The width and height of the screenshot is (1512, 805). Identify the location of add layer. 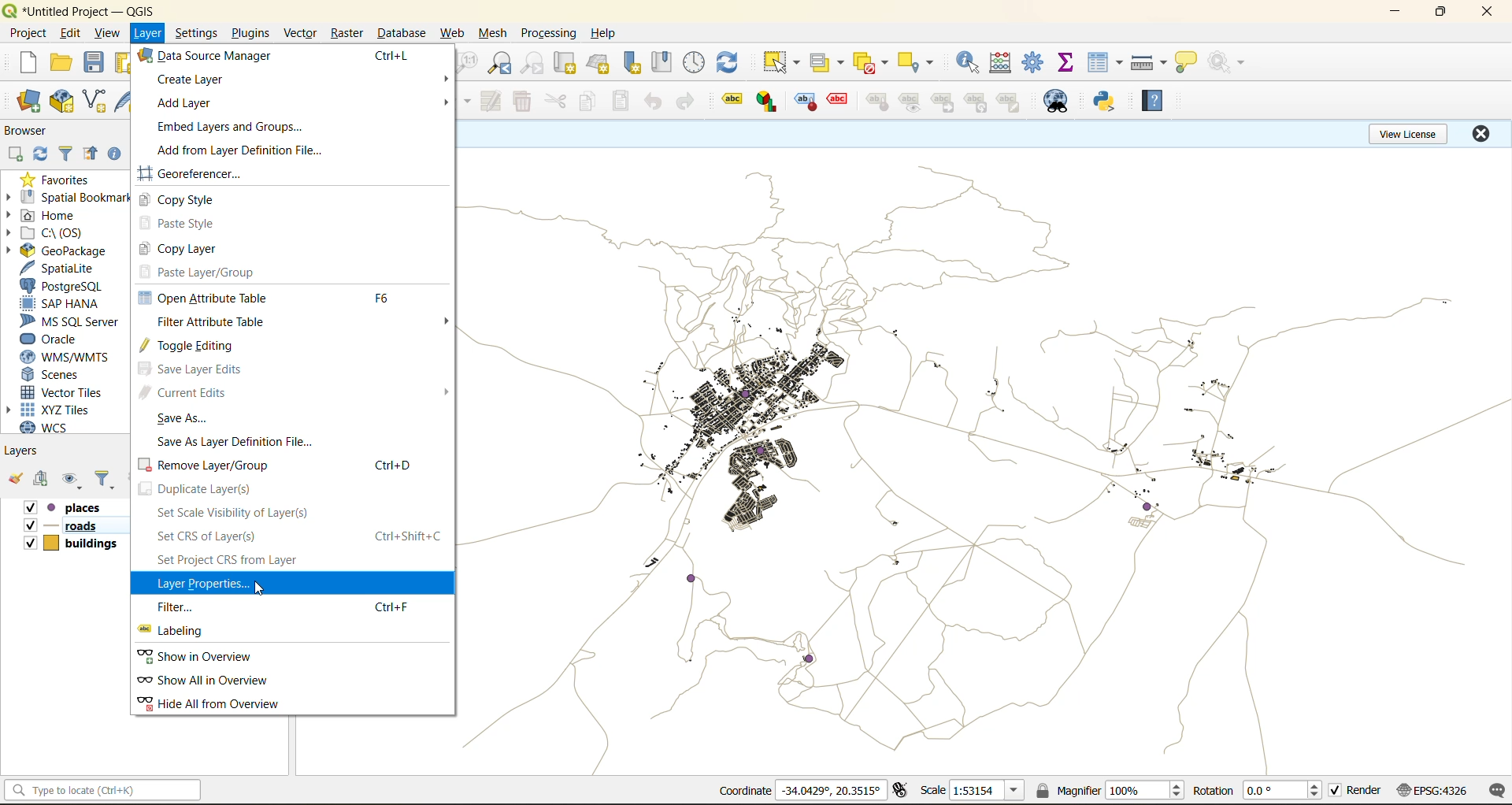
(183, 104).